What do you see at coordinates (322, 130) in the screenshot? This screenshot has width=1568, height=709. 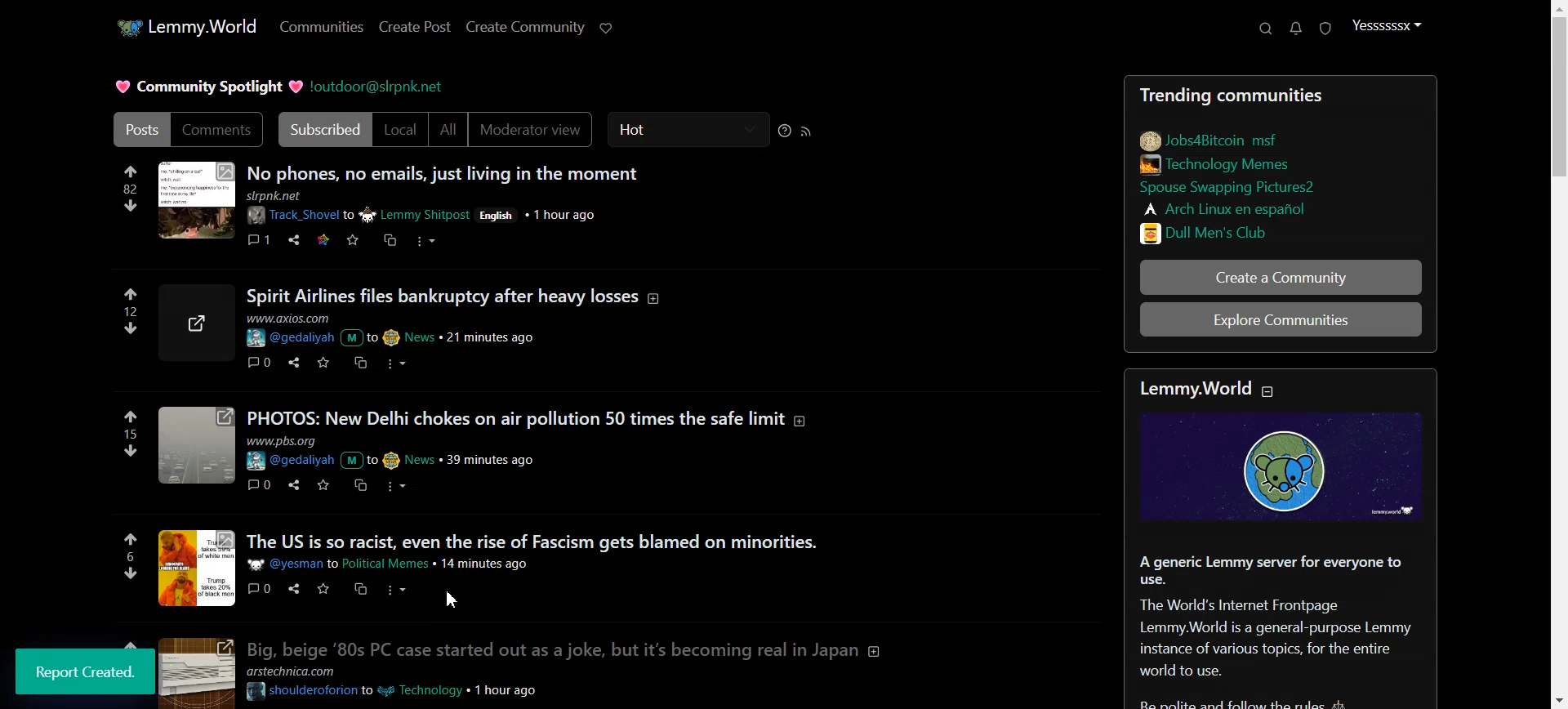 I see `Subscribed` at bounding box center [322, 130].